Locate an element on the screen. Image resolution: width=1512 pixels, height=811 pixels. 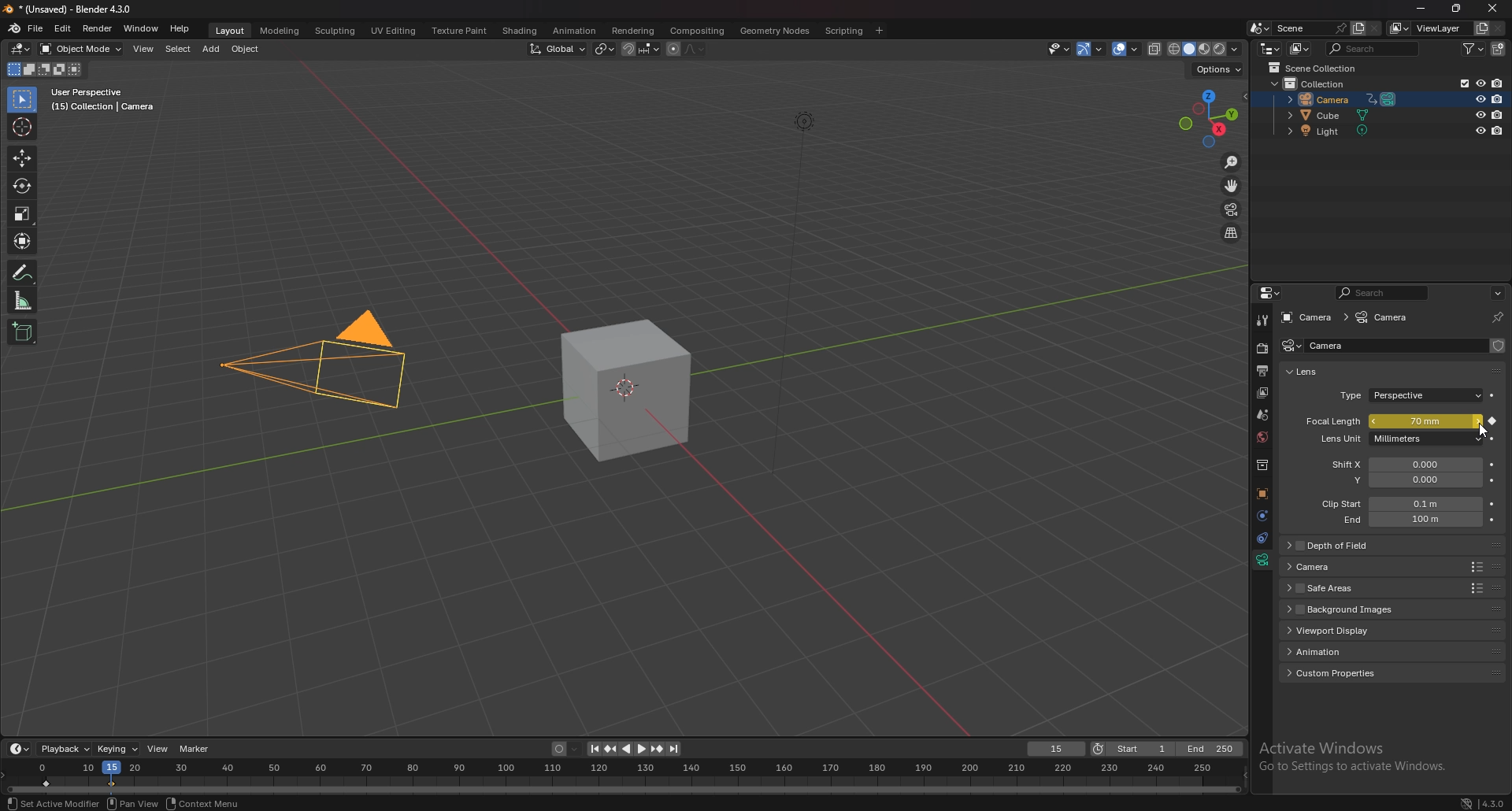
 is located at coordinates (51, 803).